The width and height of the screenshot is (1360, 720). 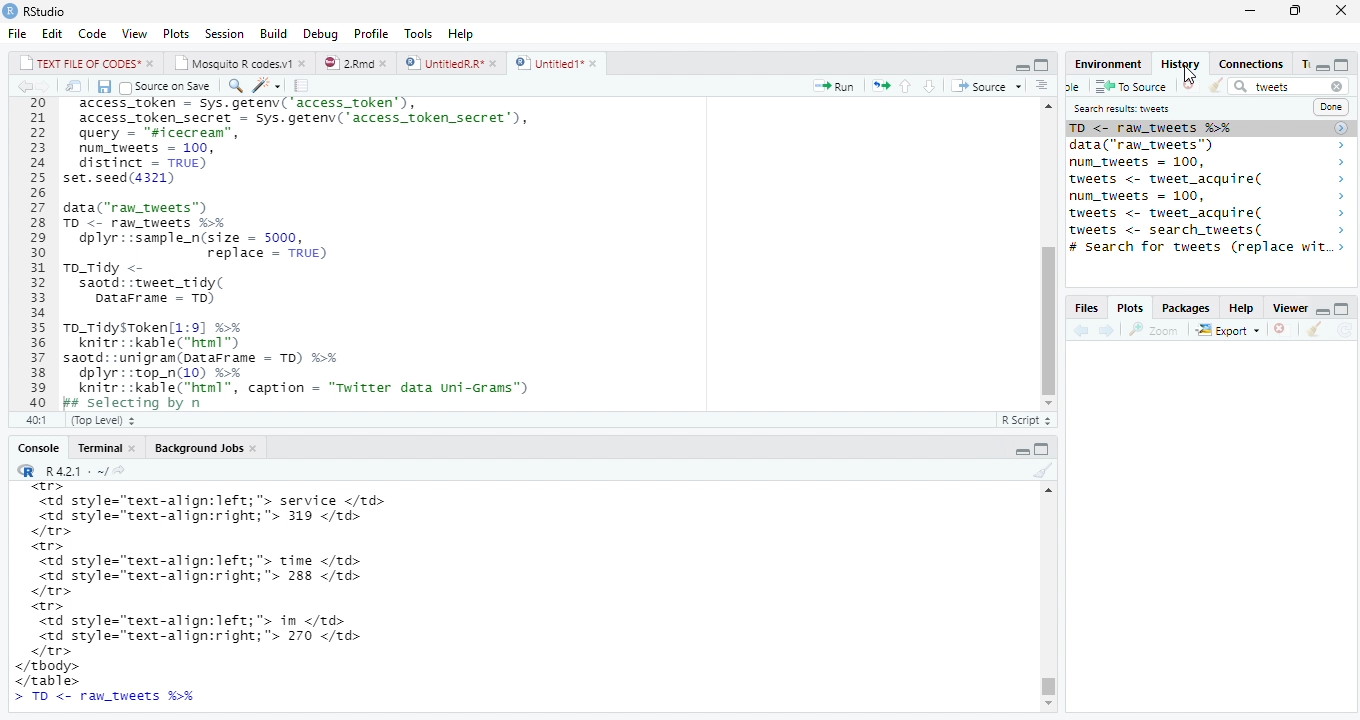 What do you see at coordinates (171, 86) in the screenshot?
I see `Source on save` at bounding box center [171, 86].